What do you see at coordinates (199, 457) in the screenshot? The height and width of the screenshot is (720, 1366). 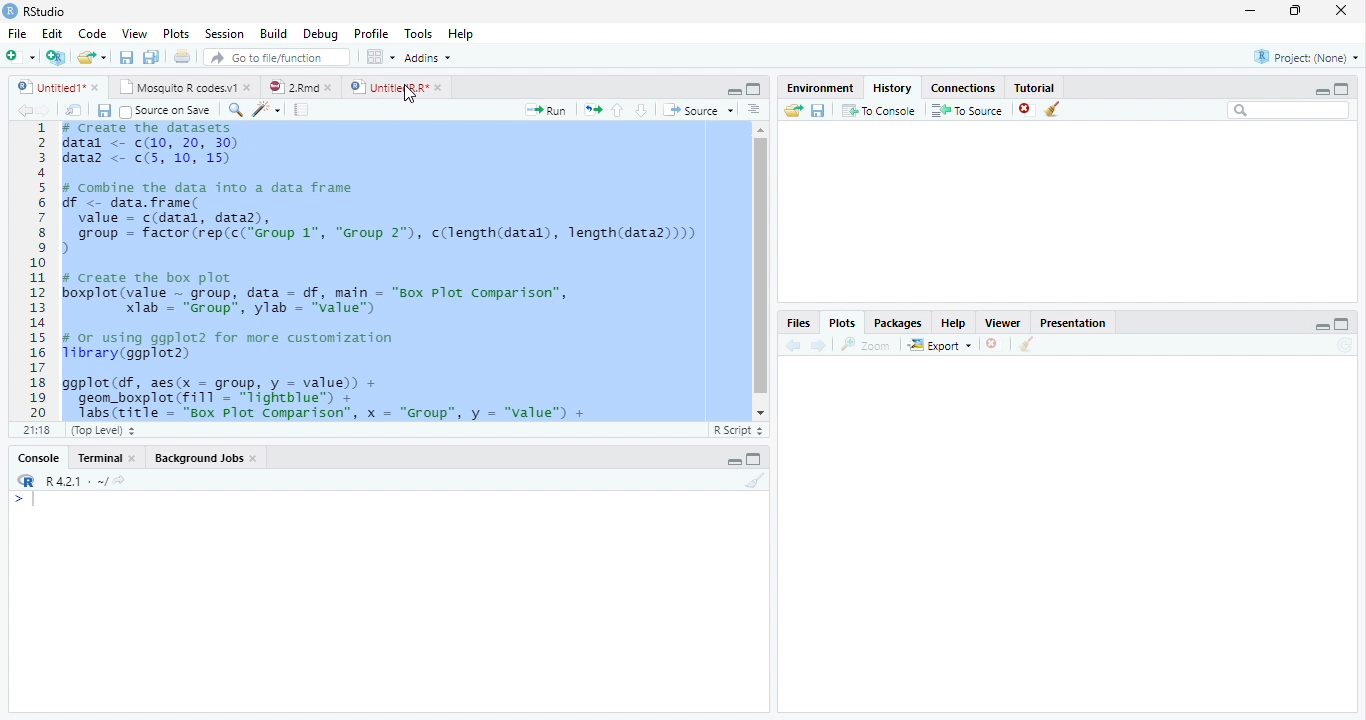 I see `Background Jobs` at bounding box center [199, 457].